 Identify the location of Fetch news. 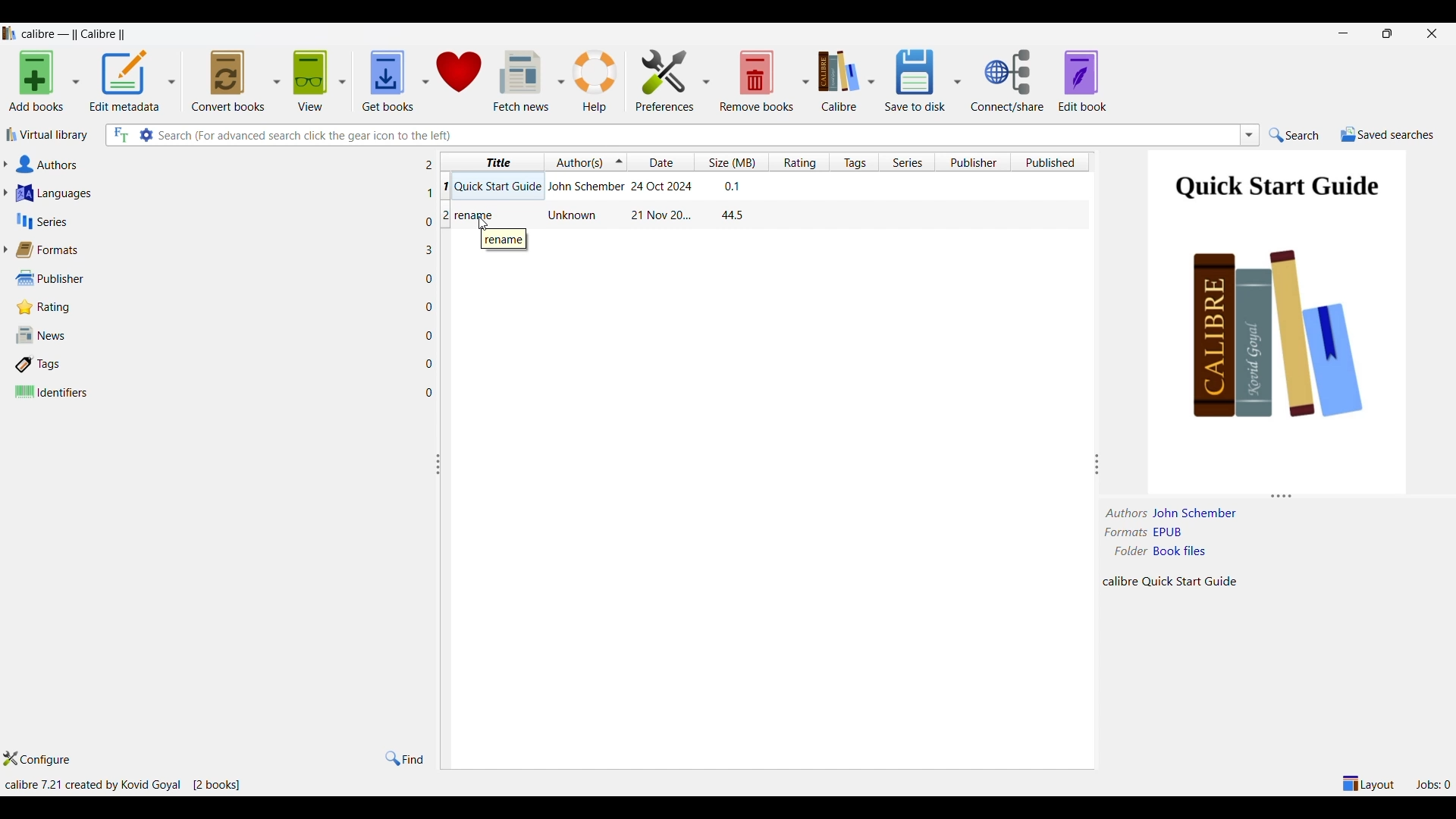
(520, 81).